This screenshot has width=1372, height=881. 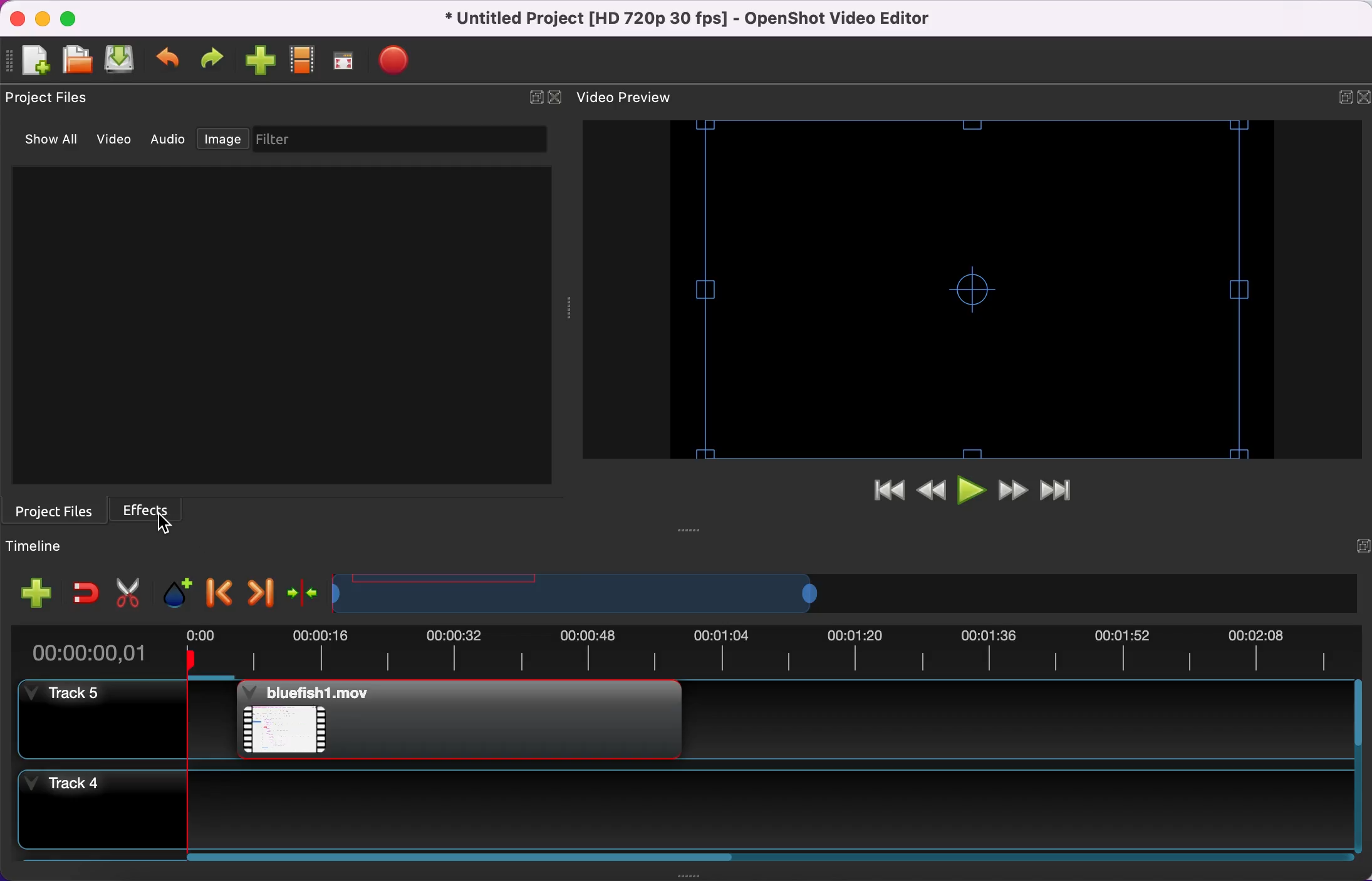 I want to click on undo, so click(x=169, y=63).